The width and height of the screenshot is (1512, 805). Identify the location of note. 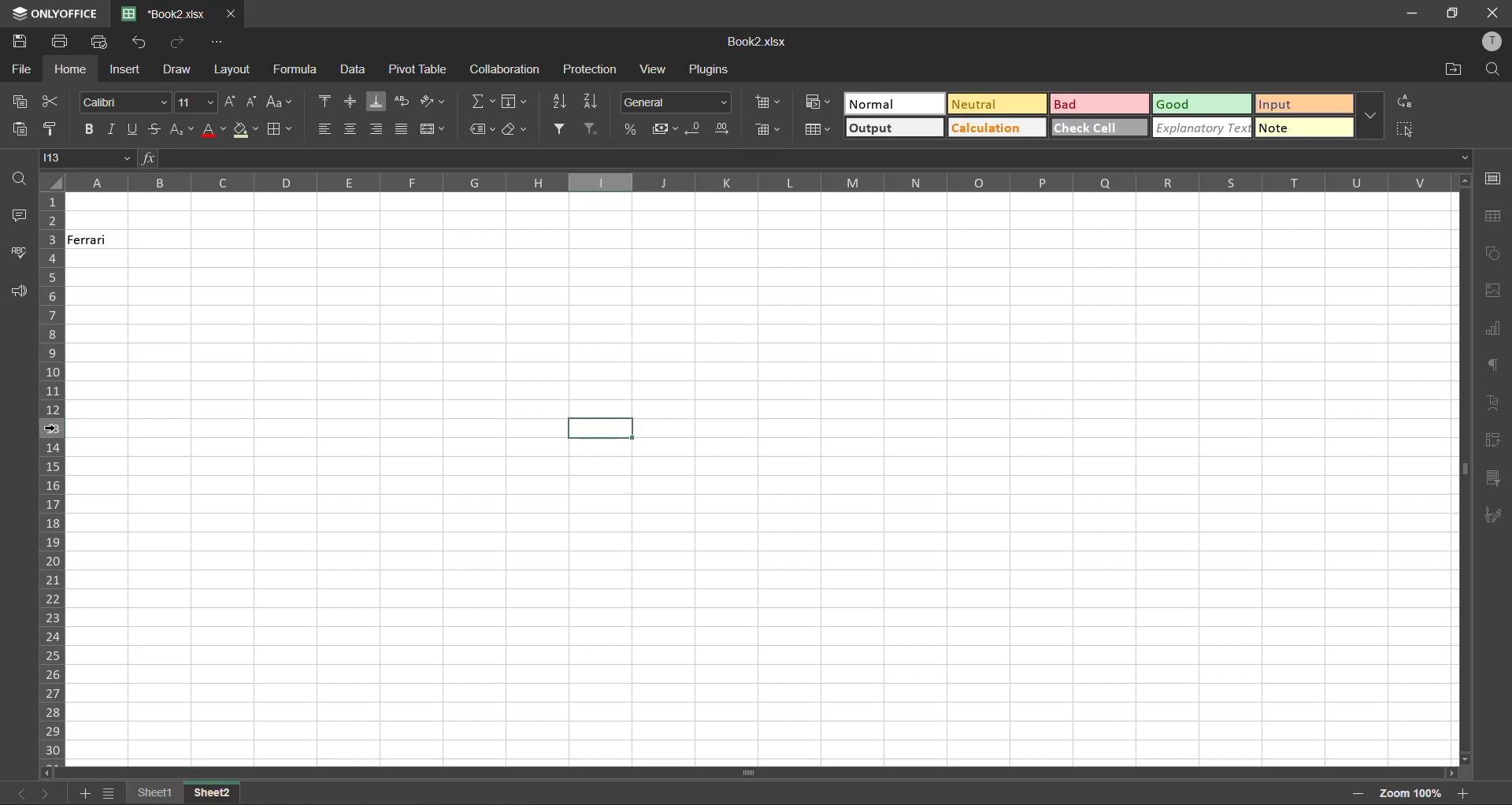
(1302, 126).